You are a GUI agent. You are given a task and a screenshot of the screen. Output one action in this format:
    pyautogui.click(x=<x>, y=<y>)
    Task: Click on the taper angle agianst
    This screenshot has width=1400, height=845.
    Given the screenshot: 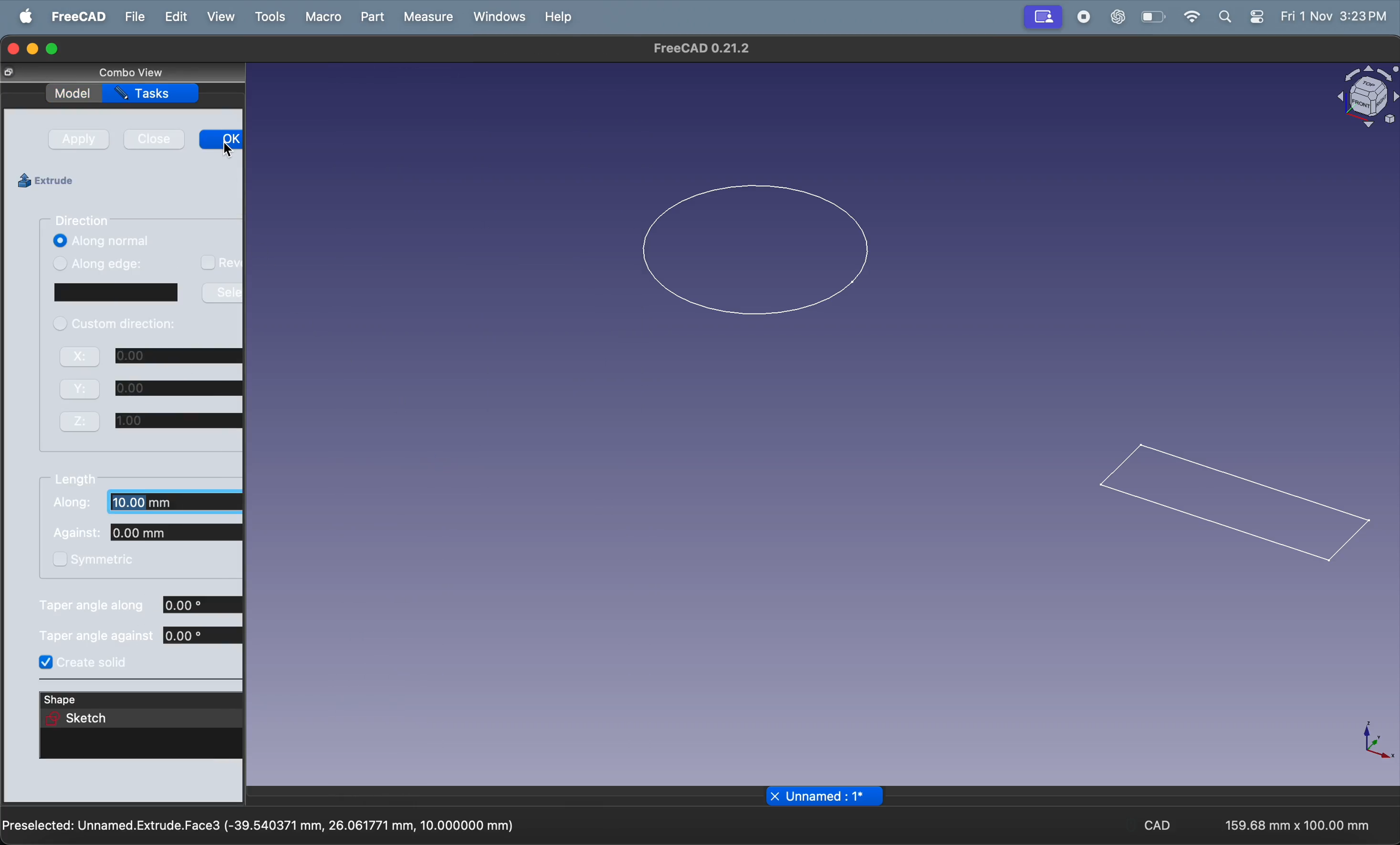 What is the action you would take?
    pyautogui.click(x=90, y=637)
    